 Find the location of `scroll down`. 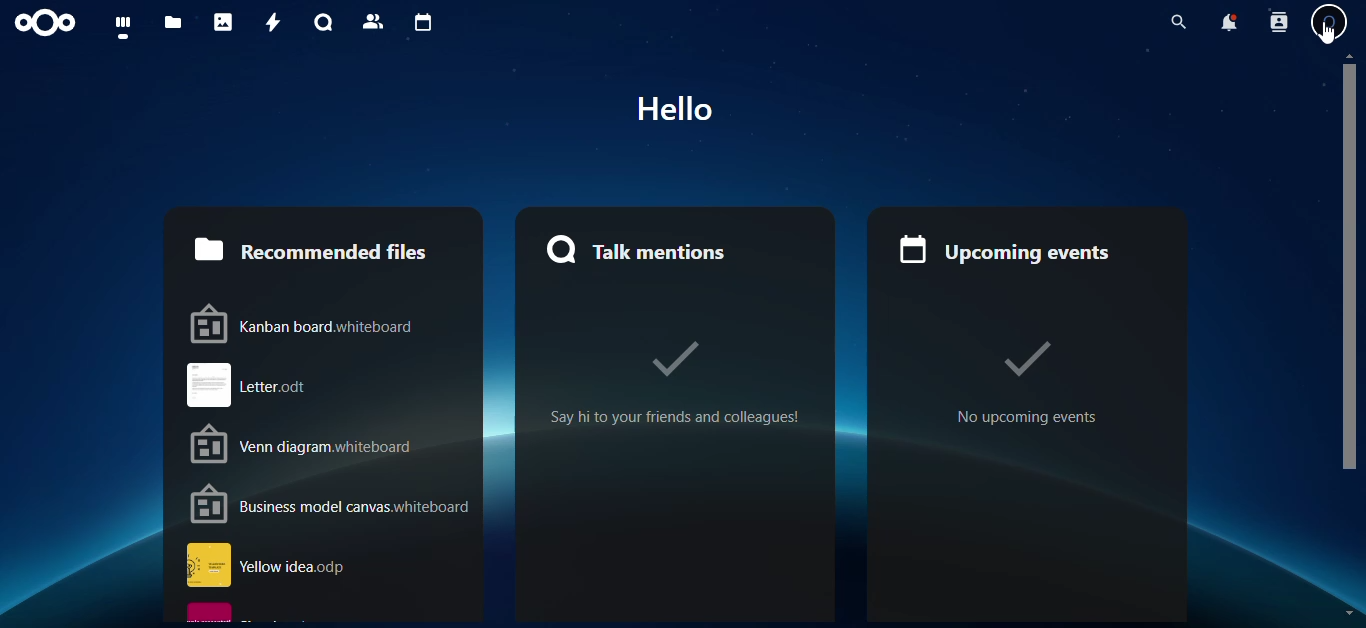

scroll down is located at coordinates (1349, 613).